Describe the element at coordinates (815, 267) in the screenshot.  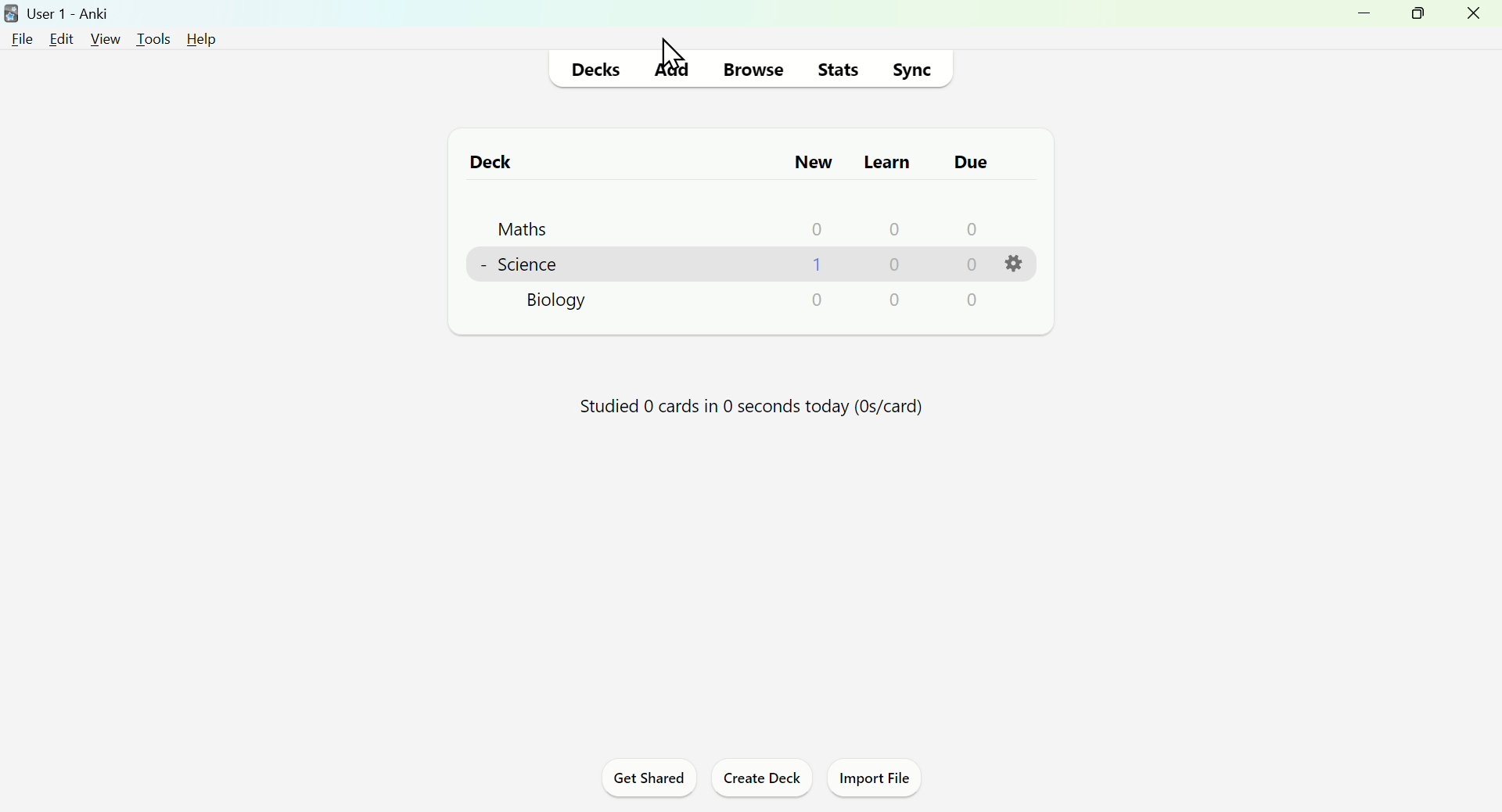
I see `0` at that location.